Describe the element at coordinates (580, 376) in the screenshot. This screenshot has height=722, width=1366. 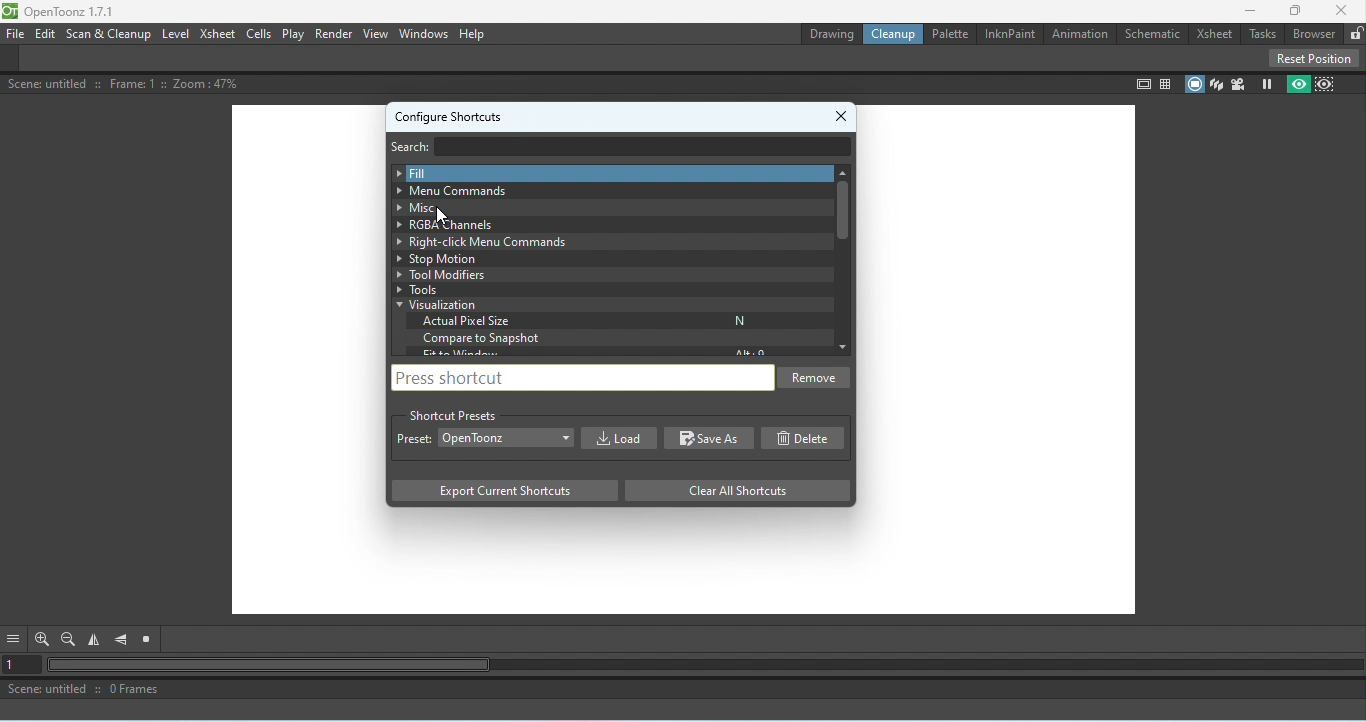
I see `Press shortcut` at that location.